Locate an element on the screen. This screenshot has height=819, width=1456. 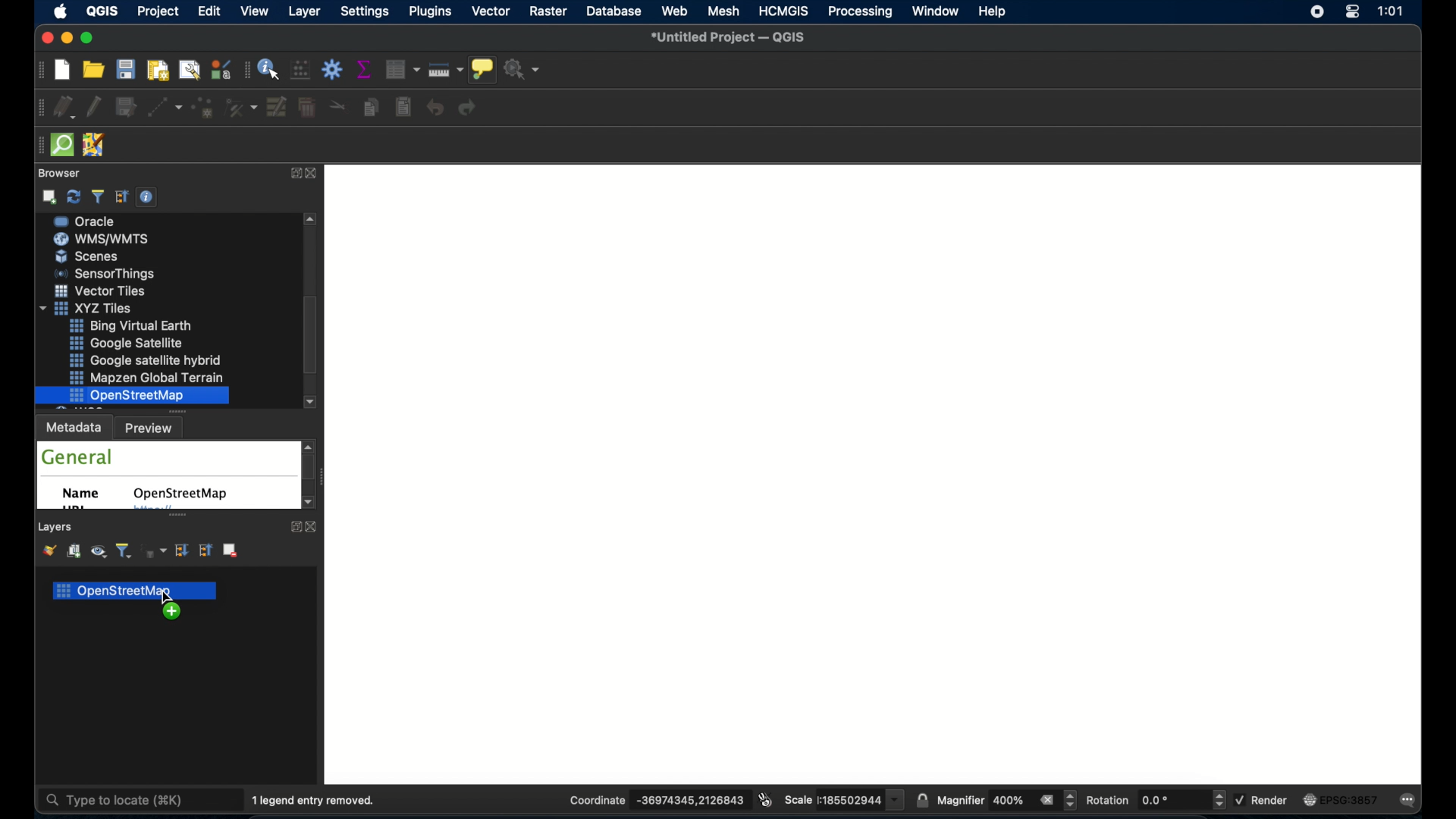
settings is located at coordinates (364, 12).